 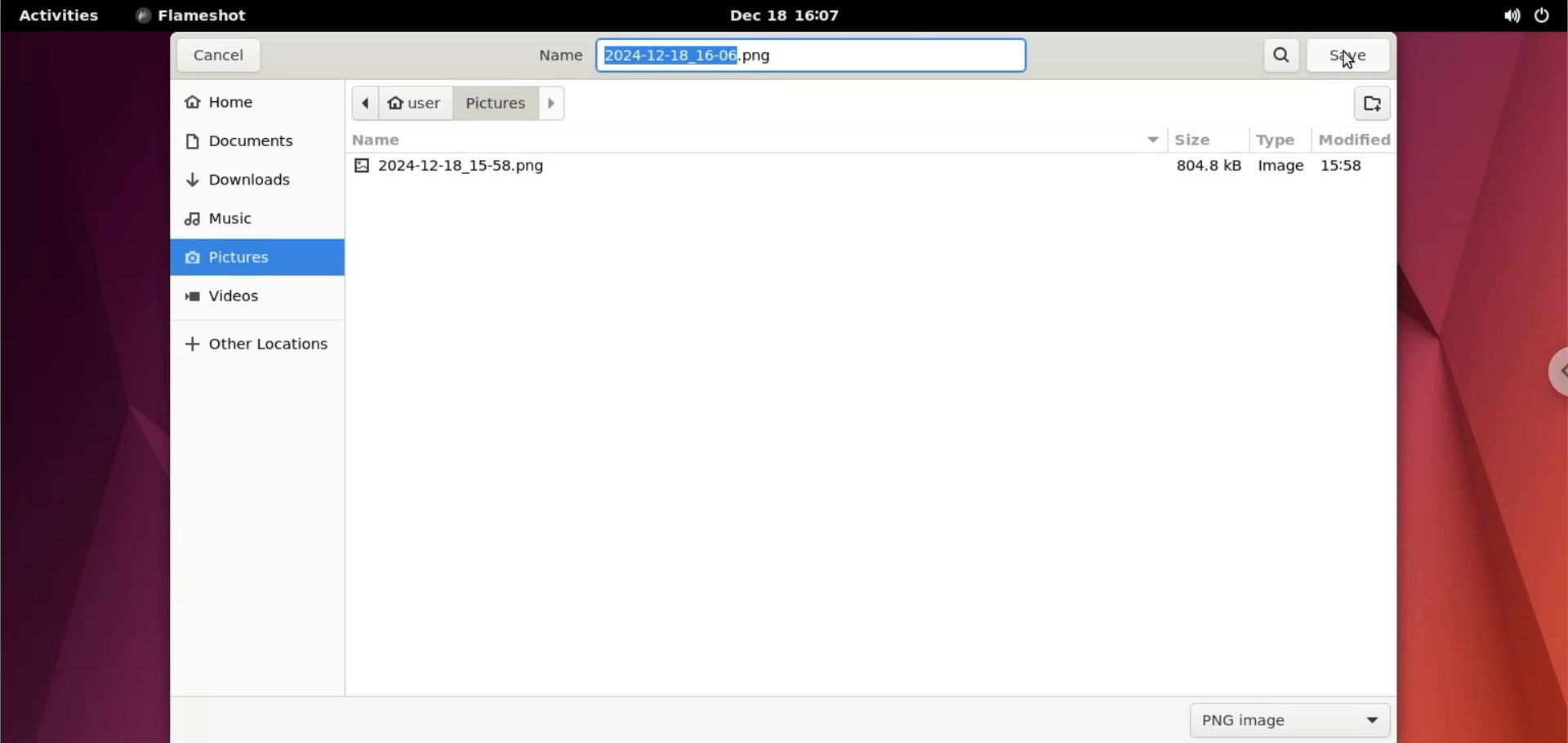 I want to click on image format type options, so click(x=1292, y=719).